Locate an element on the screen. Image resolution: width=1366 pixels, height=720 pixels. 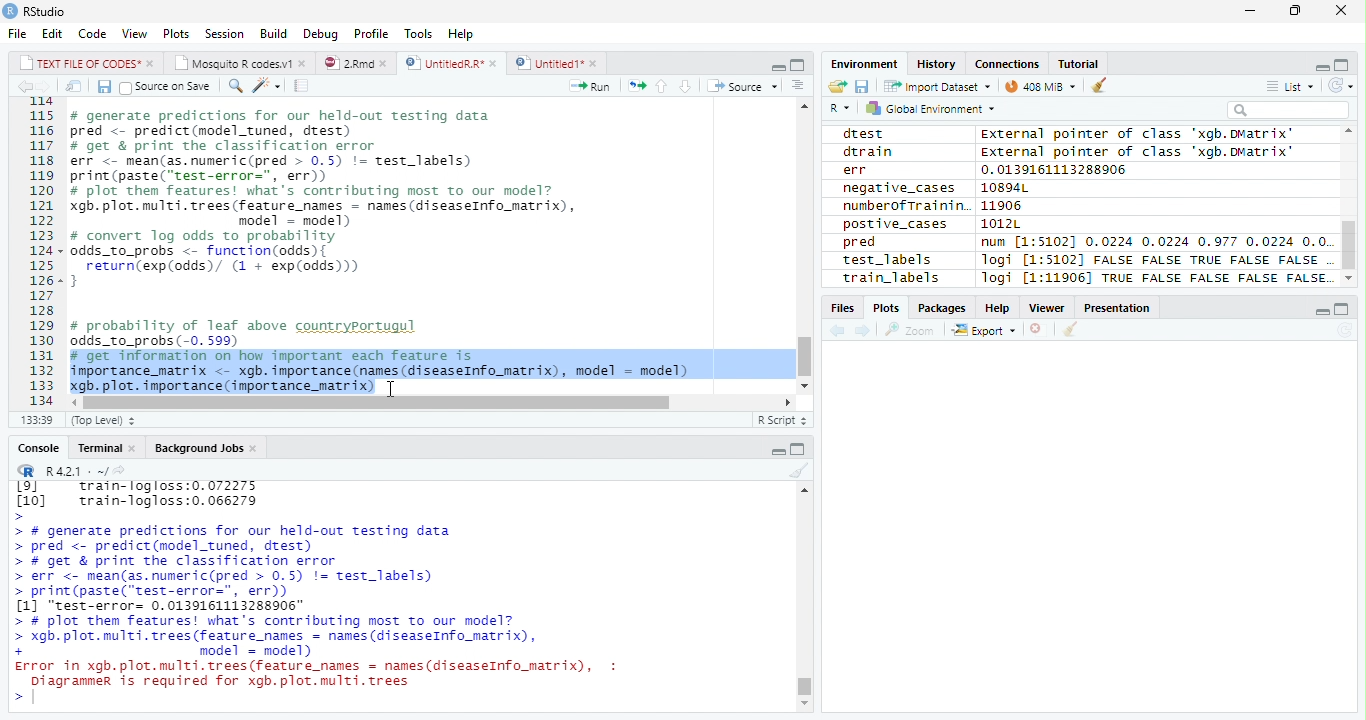
Zoom is located at coordinates (911, 328).